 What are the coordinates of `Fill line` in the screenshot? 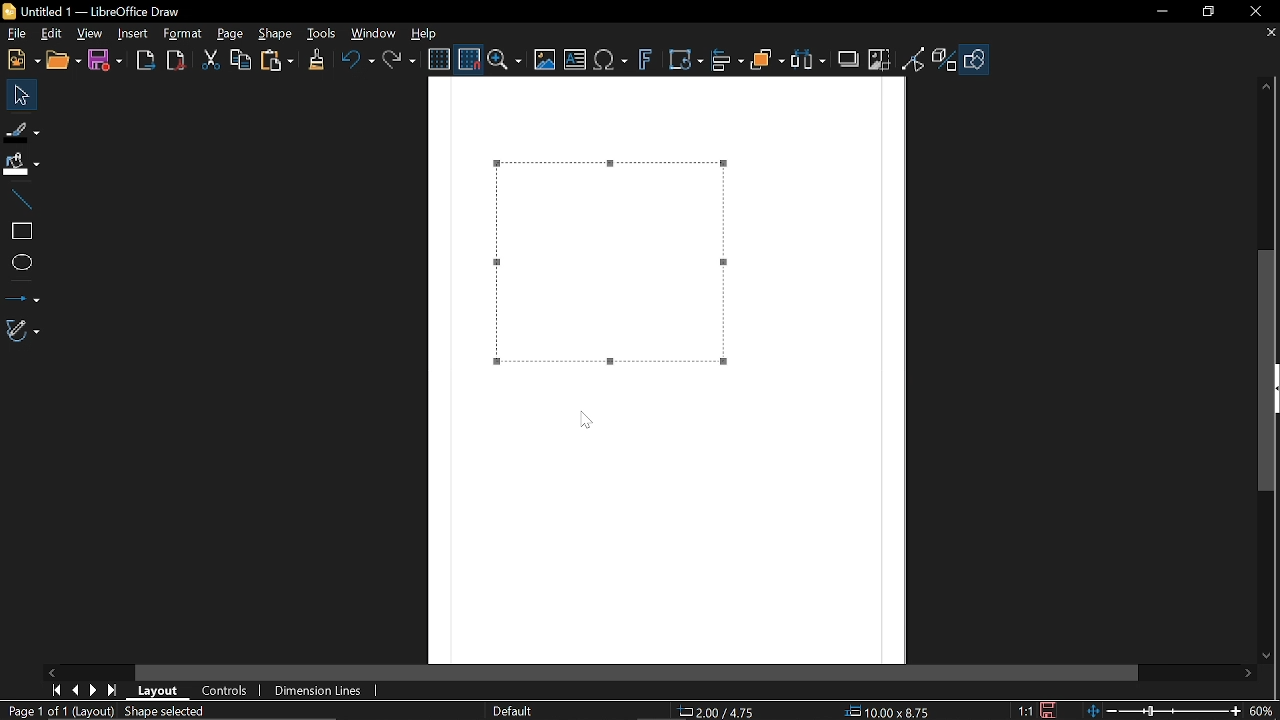 It's located at (22, 130).